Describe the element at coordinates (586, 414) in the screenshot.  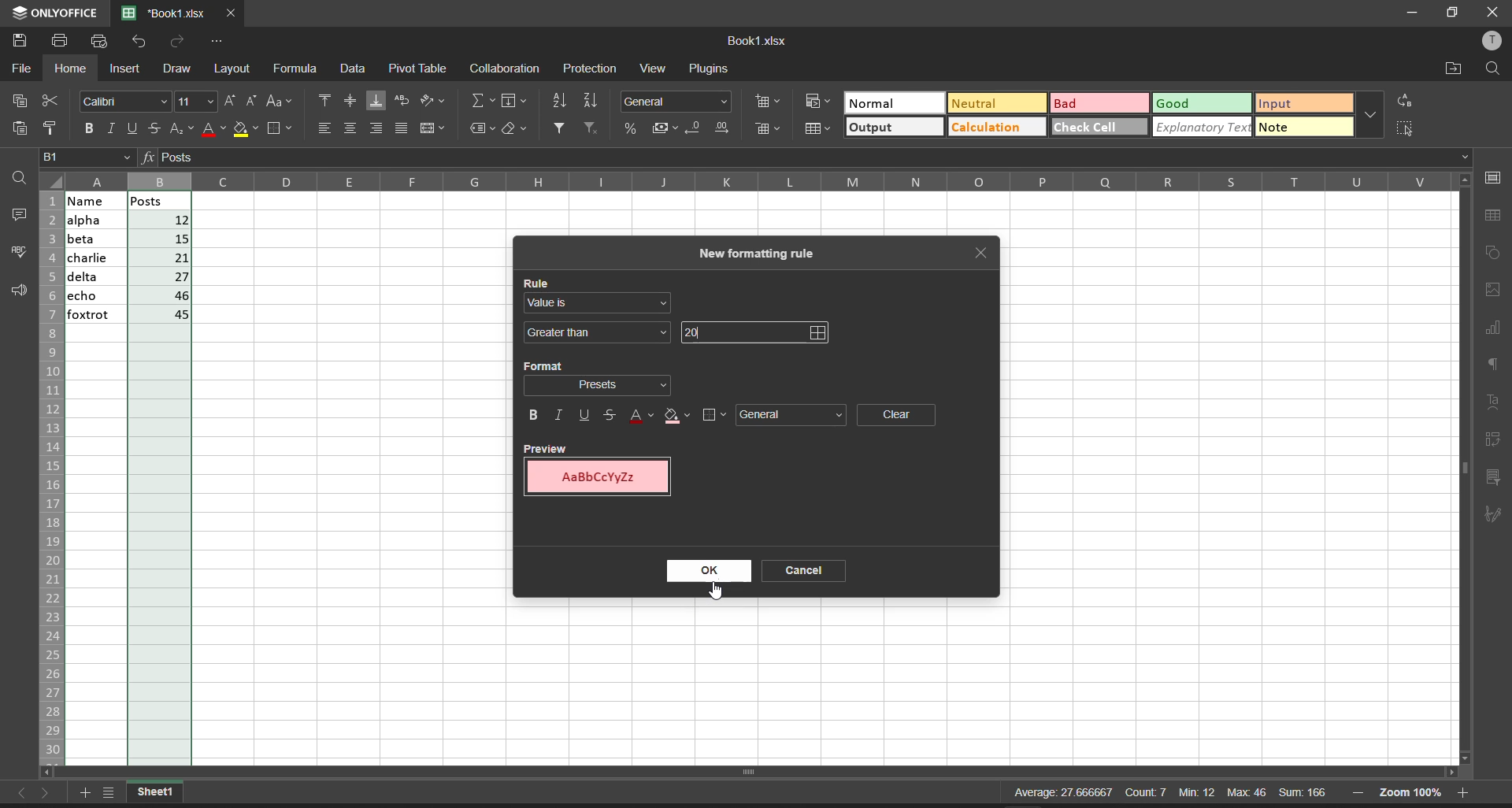
I see `underline` at that location.